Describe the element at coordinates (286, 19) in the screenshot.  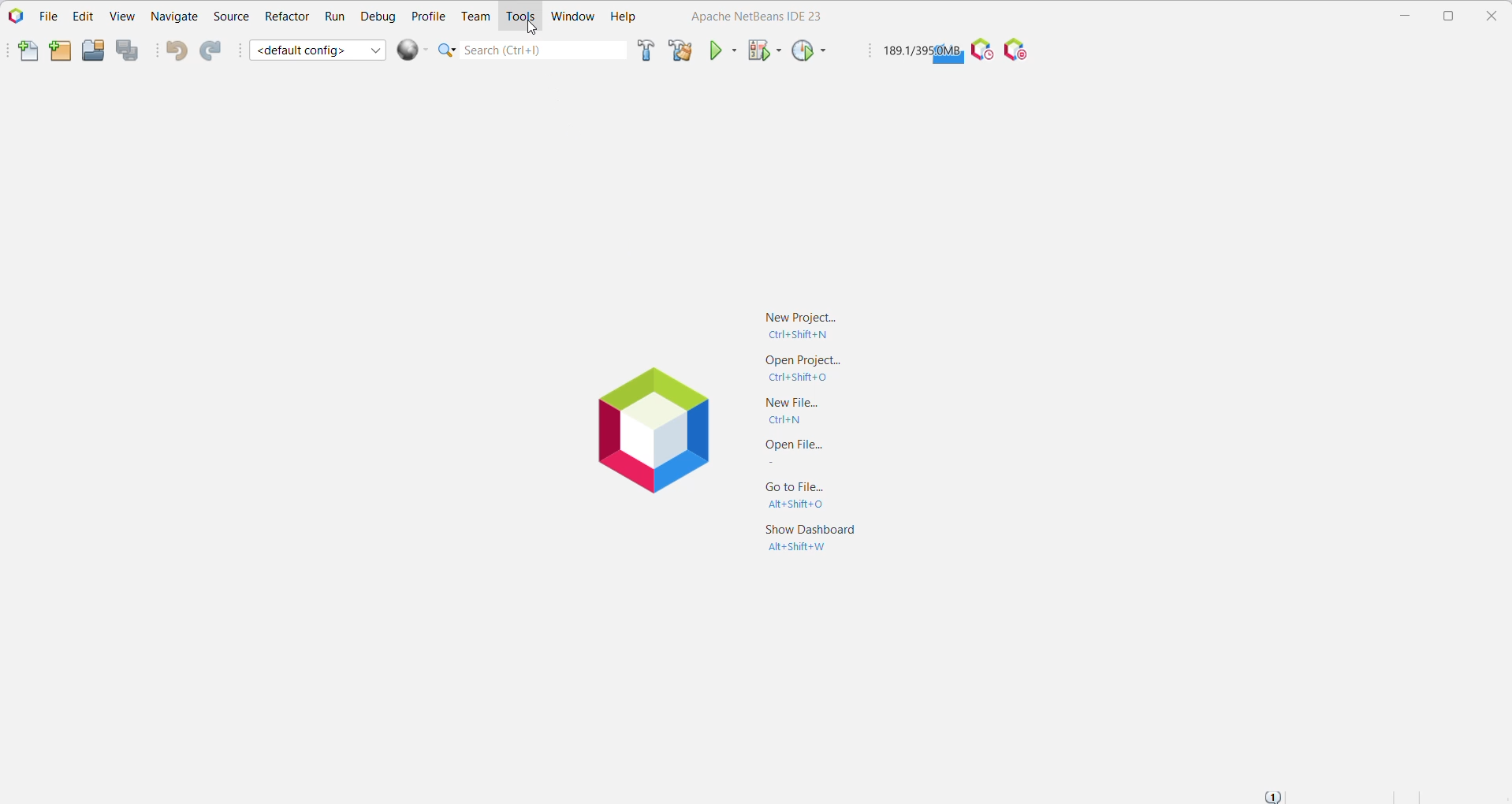
I see `Refactor` at that location.